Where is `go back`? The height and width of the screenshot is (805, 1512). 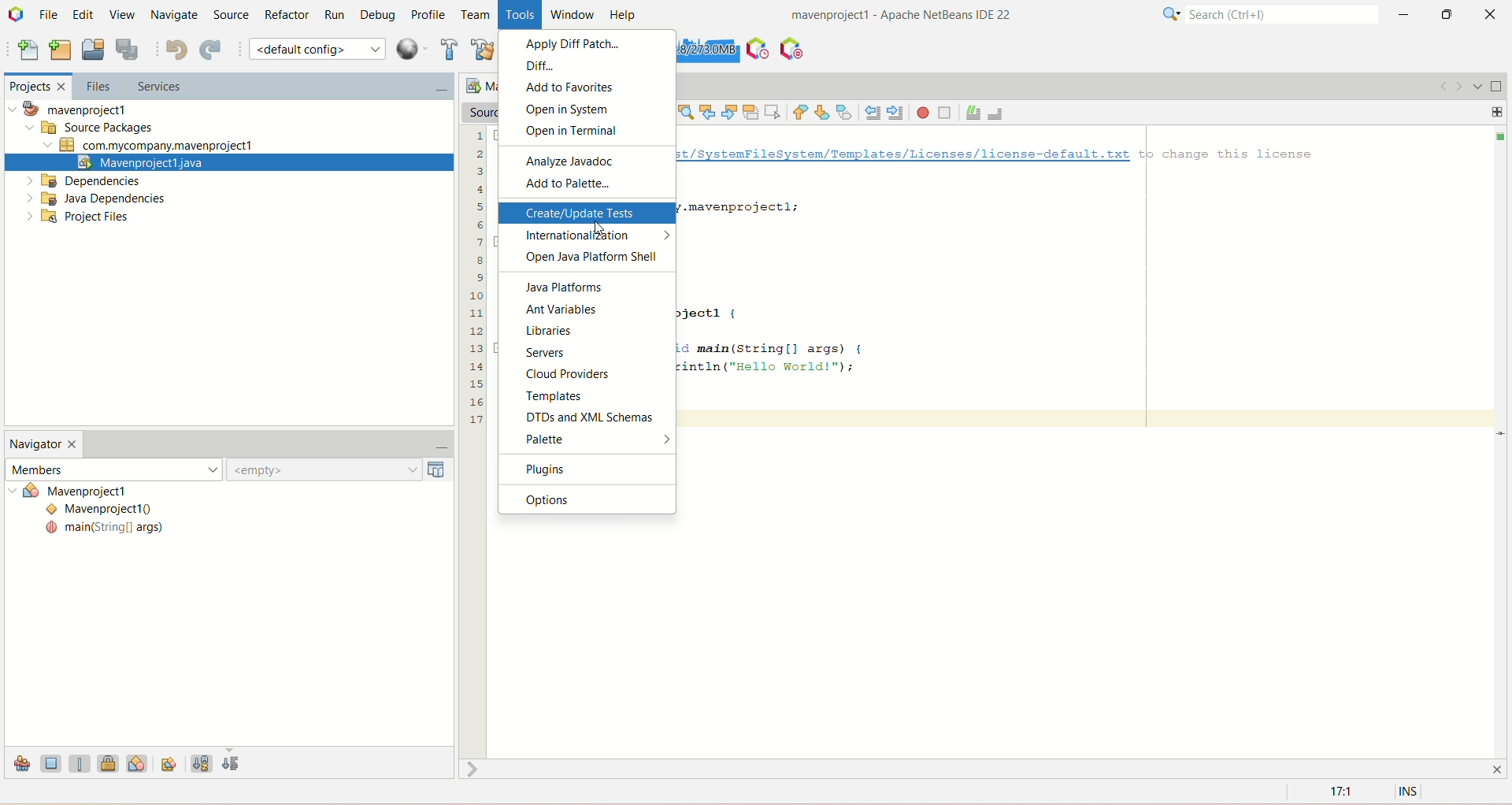 go back is located at coordinates (1439, 86).